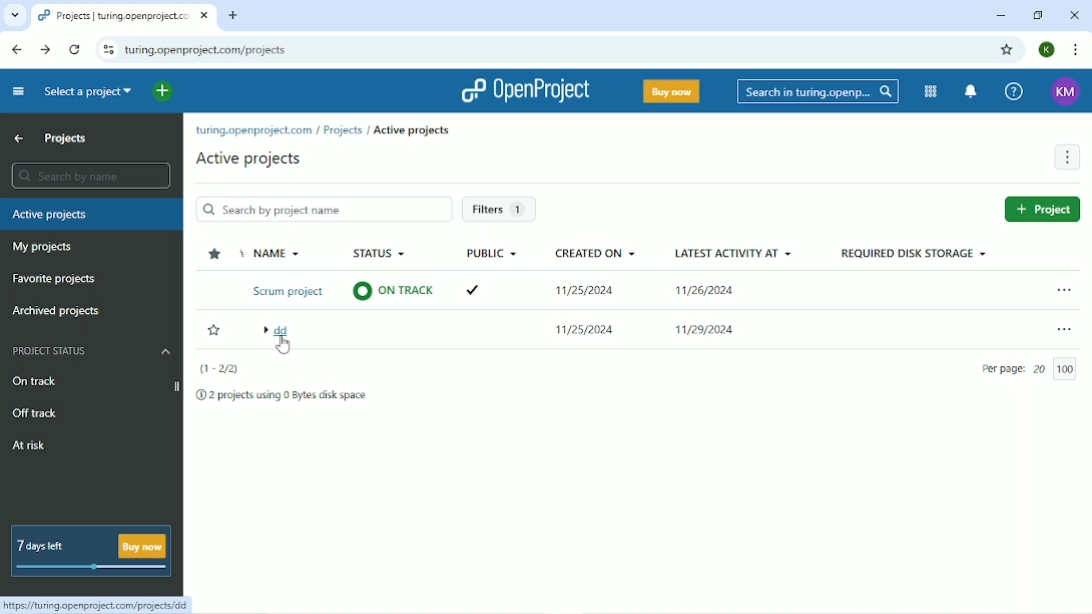 This screenshot has height=614, width=1092. Describe the element at coordinates (96, 603) in the screenshot. I see `Link` at that location.